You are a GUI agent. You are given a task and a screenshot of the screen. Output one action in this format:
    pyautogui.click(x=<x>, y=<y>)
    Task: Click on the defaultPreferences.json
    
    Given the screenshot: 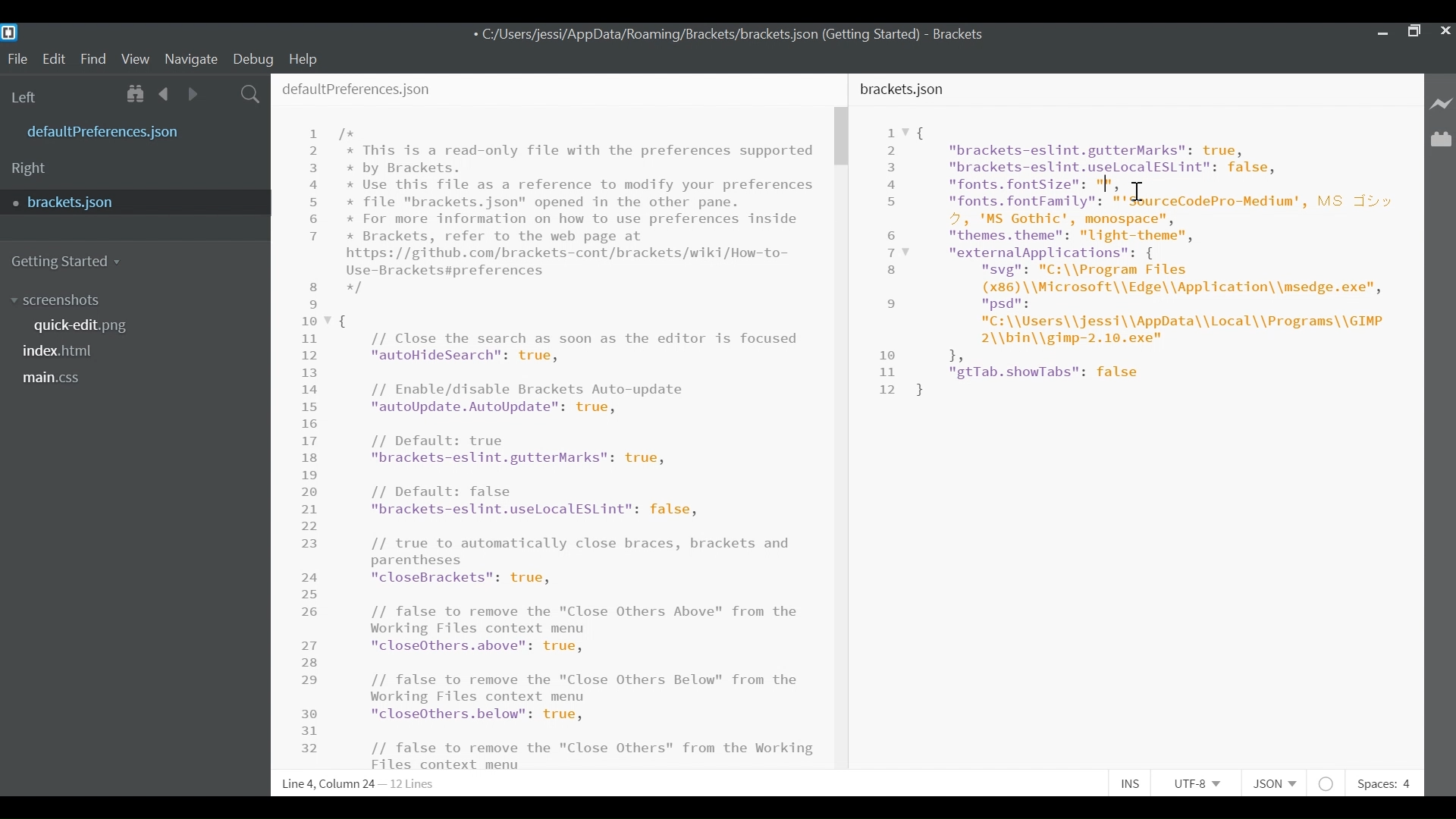 What is the action you would take?
    pyautogui.click(x=136, y=132)
    